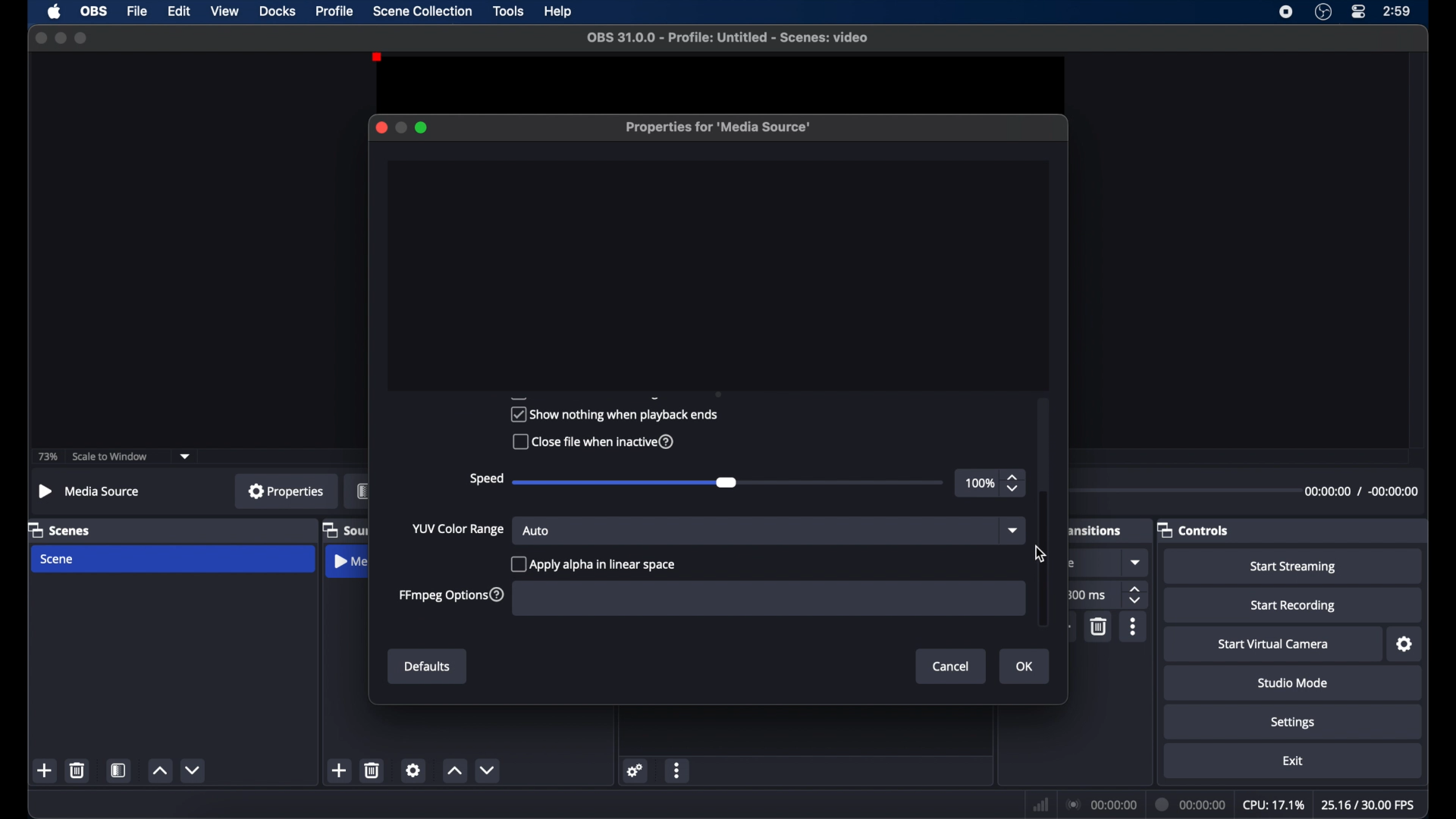 This screenshot has height=819, width=1456. Describe the element at coordinates (536, 530) in the screenshot. I see `auto` at that location.